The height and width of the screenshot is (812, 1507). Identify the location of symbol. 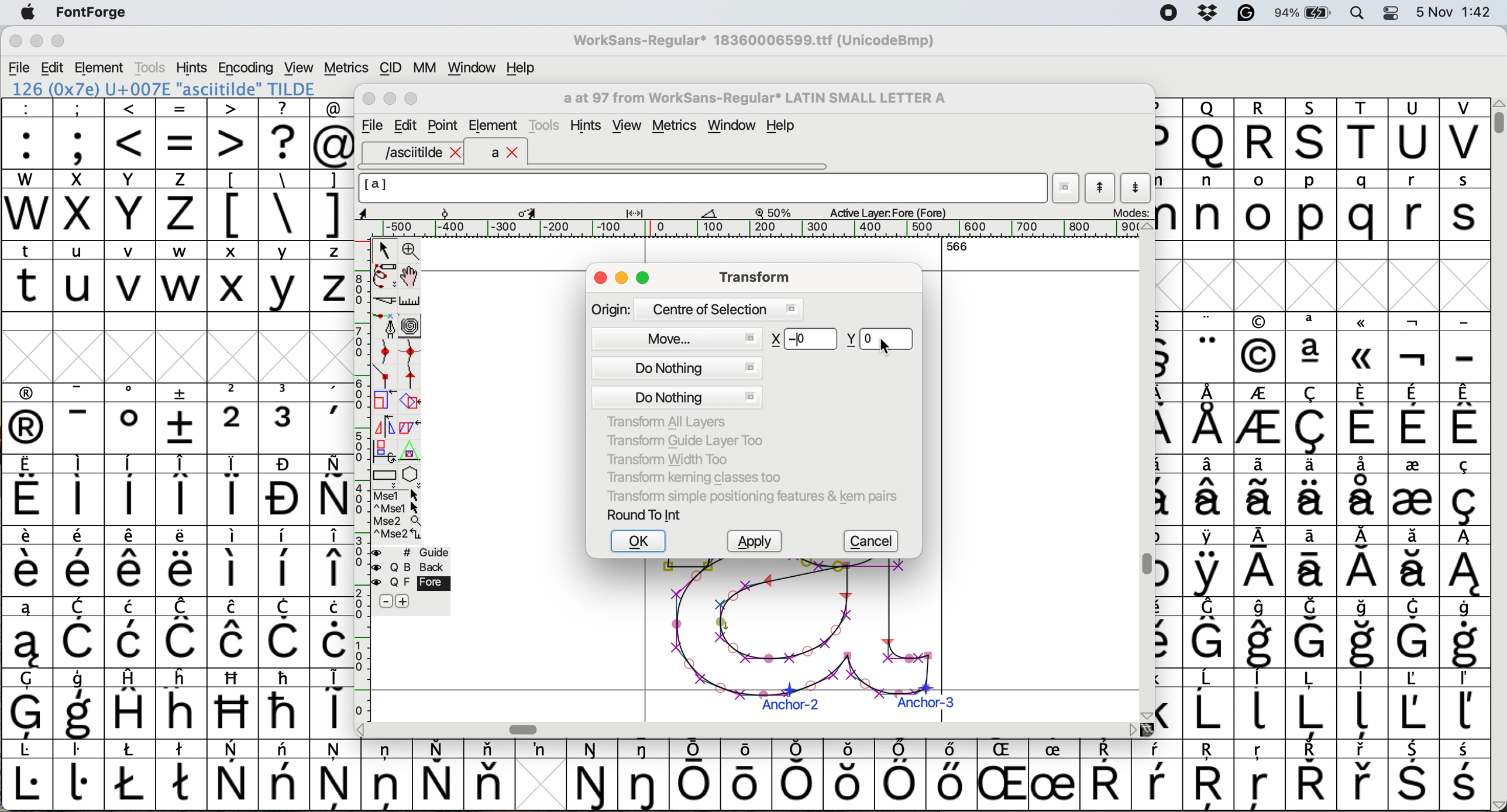
(78, 490).